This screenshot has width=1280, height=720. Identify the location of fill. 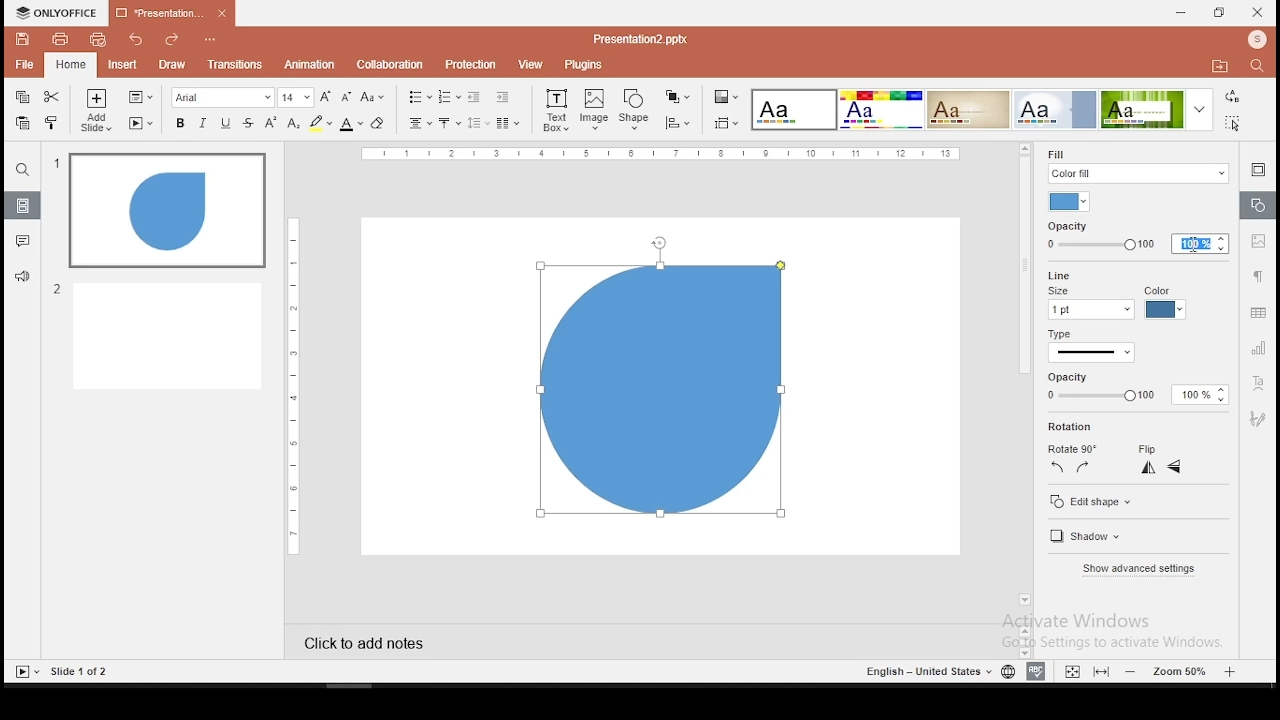
(1137, 164).